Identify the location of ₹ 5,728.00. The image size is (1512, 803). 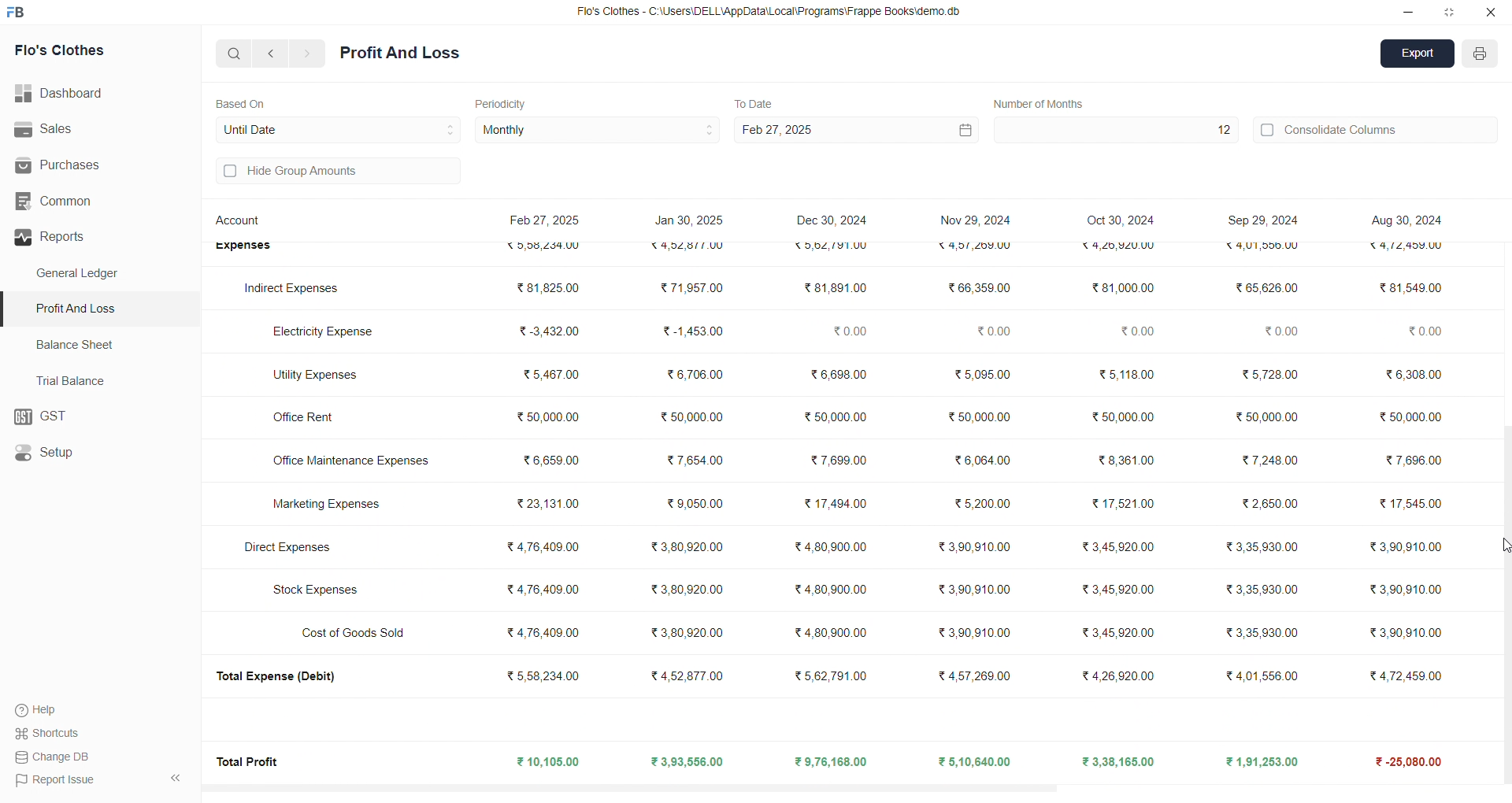
(1266, 373).